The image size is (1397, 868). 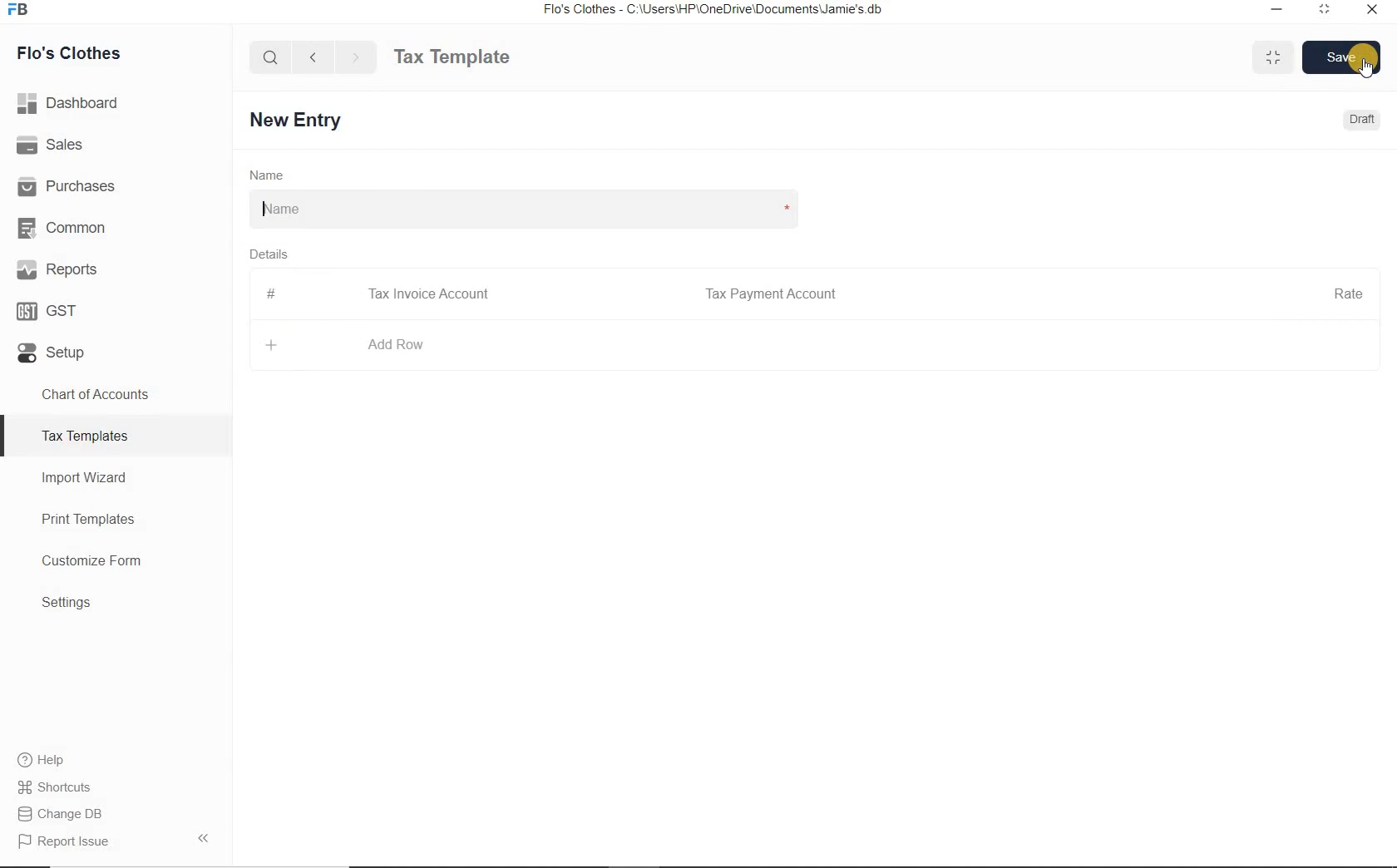 I want to click on Forward, so click(x=357, y=57).